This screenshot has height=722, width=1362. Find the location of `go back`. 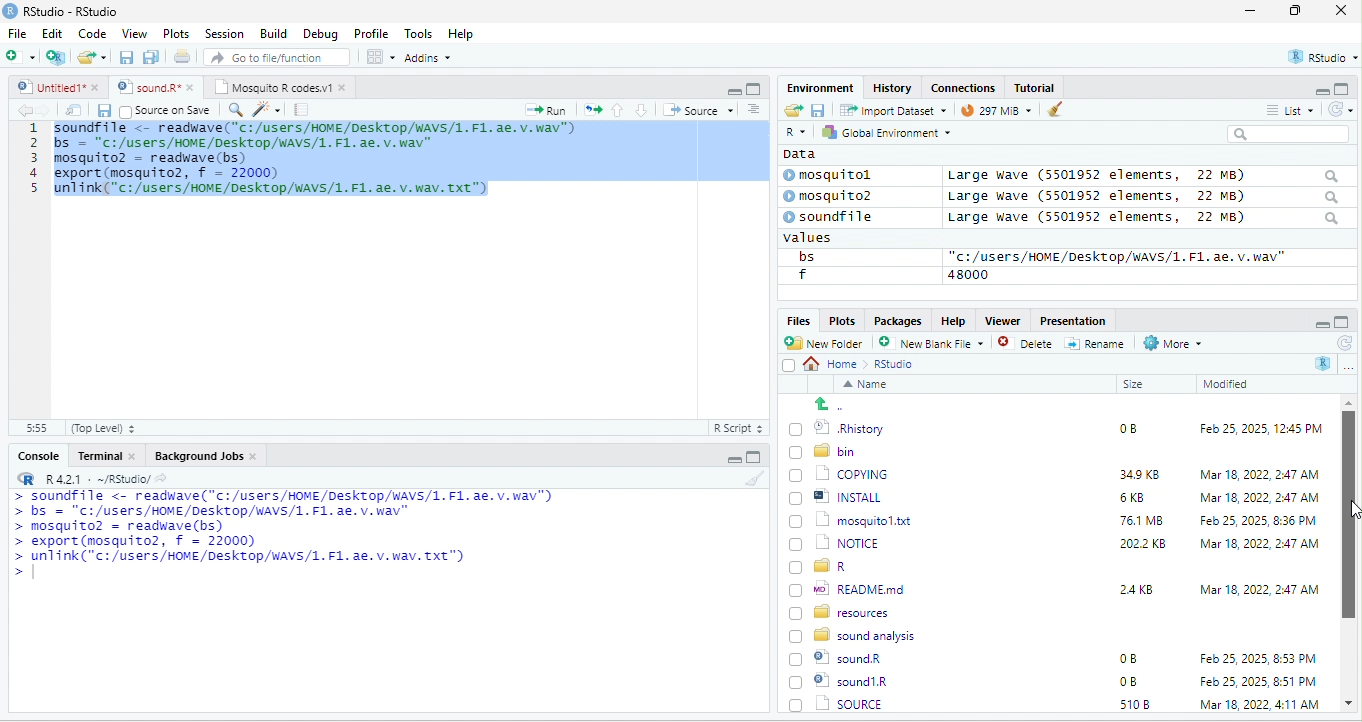

go back is located at coordinates (837, 404).